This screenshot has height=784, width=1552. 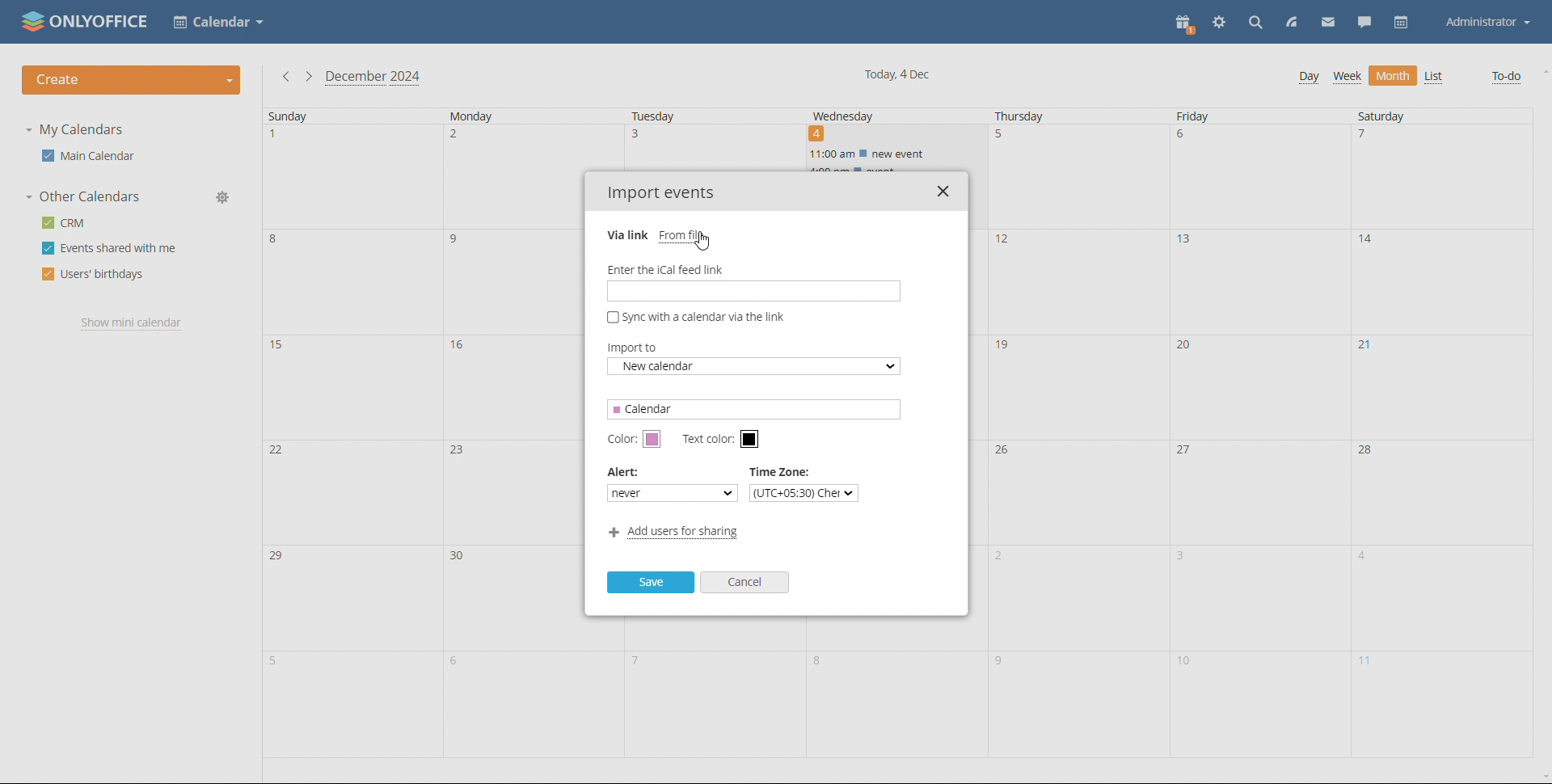 What do you see at coordinates (753, 408) in the screenshot?
I see `calendar name` at bounding box center [753, 408].